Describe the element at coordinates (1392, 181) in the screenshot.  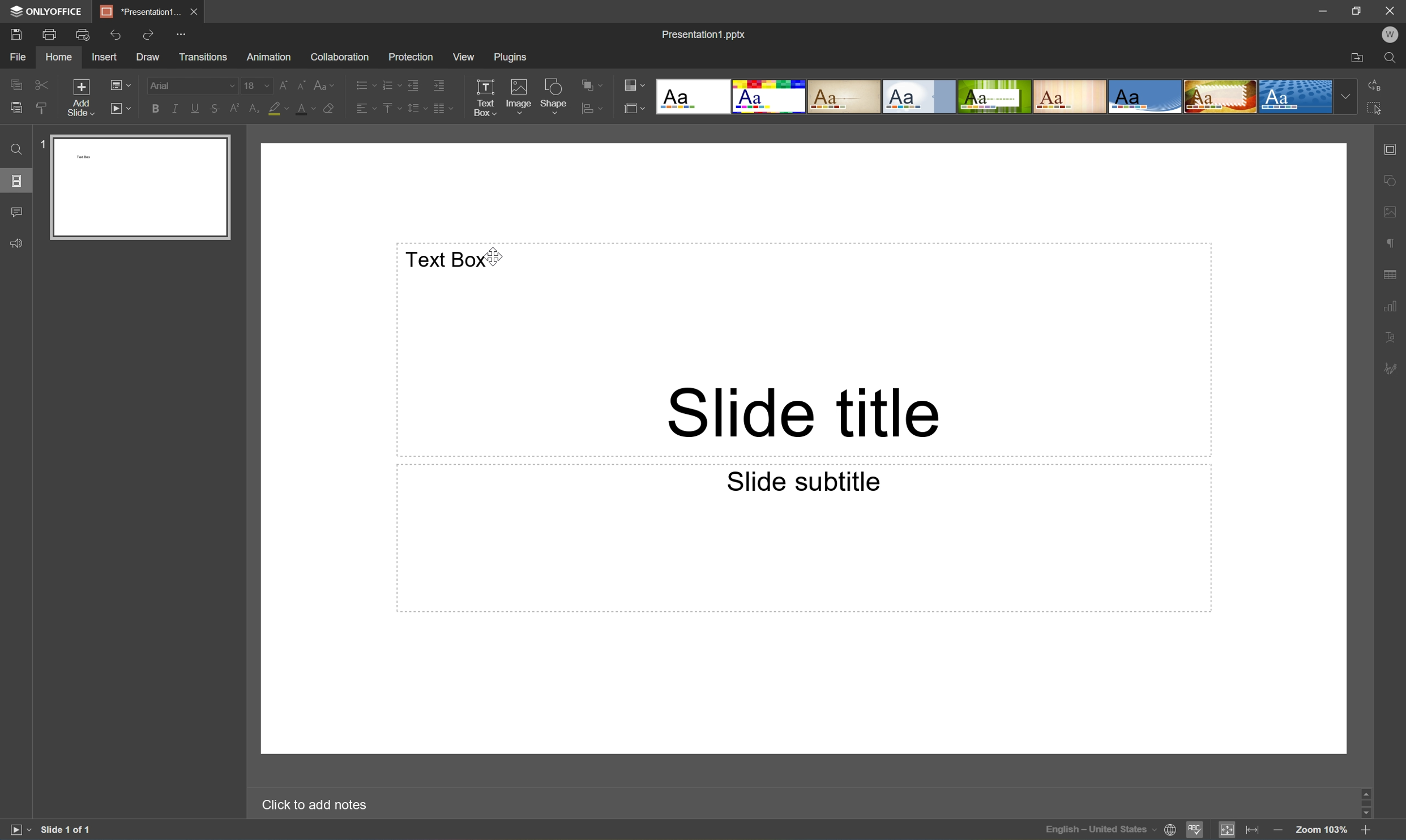
I see `Shape settings` at that location.